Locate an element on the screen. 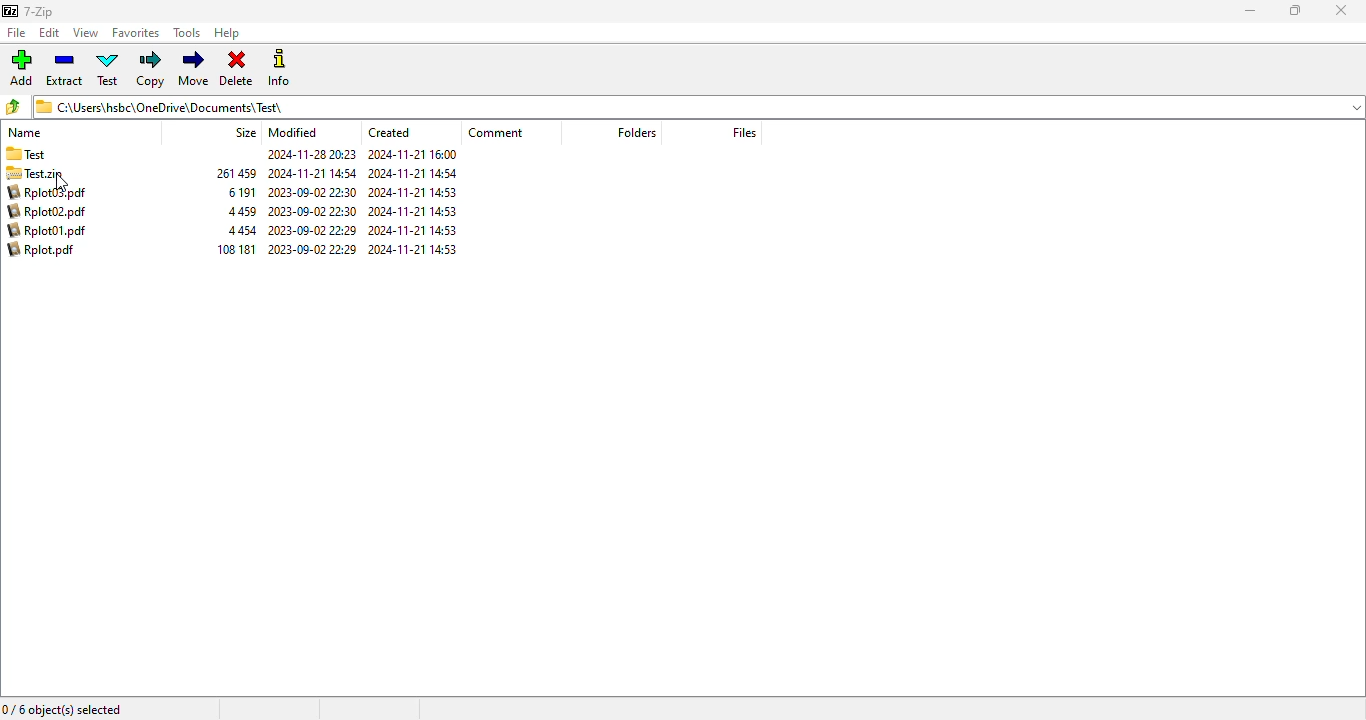 This screenshot has width=1366, height=720. Rplot01.pdf 4454 2023-00-02 22:29 2024-11-21 14:53 is located at coordinates (53, 229).